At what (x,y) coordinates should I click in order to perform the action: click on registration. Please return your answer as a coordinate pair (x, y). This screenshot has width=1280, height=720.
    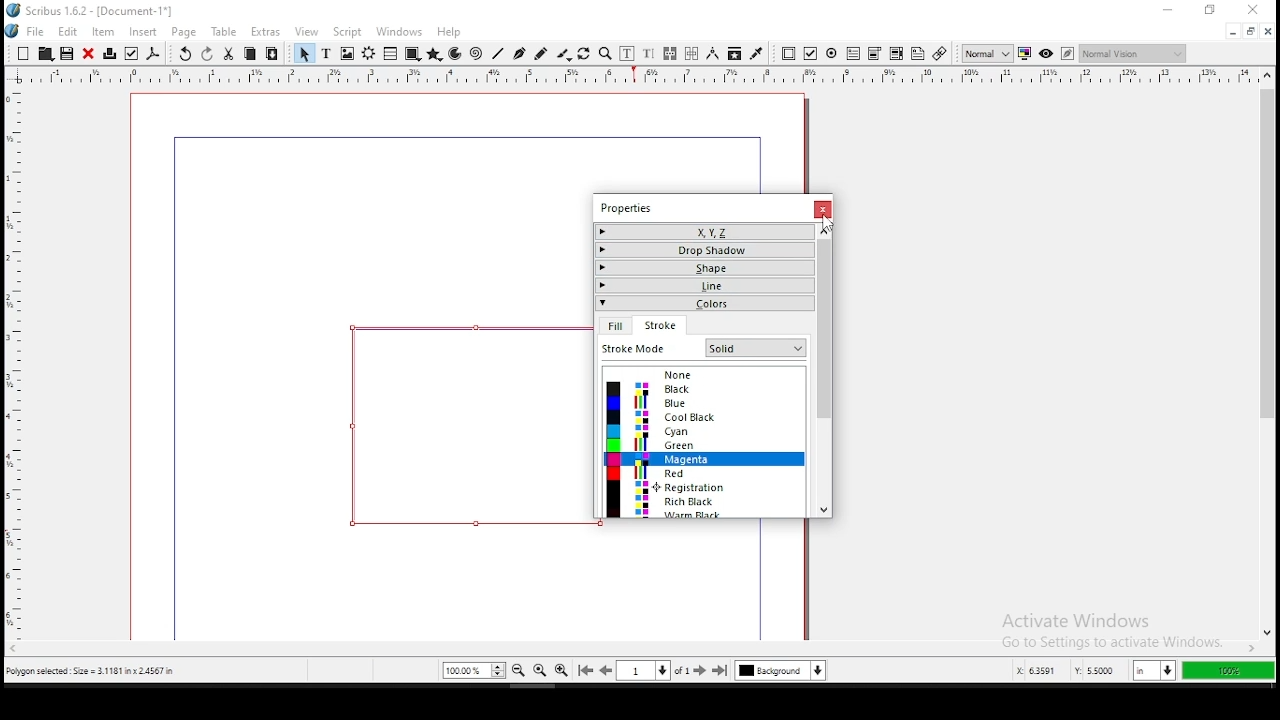
    Looking at the image, I should click on (706, 487).